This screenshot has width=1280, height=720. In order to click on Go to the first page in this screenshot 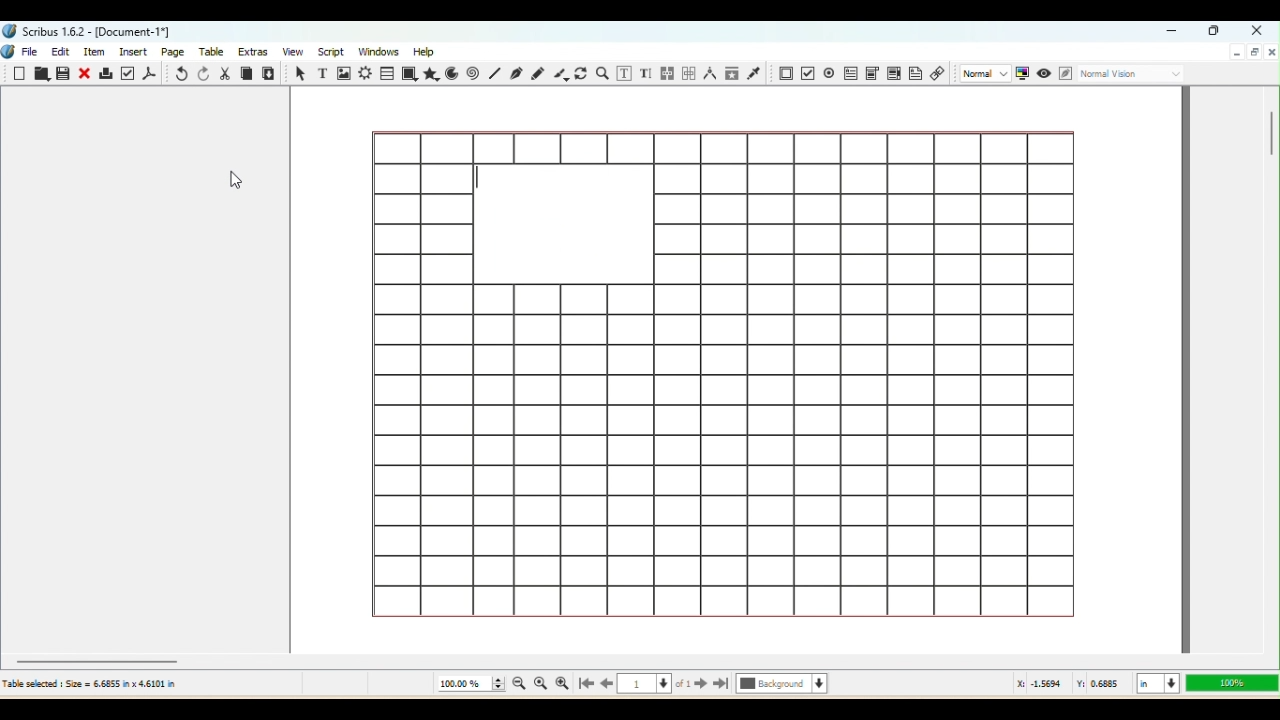, I will do `click(584, 685)`.